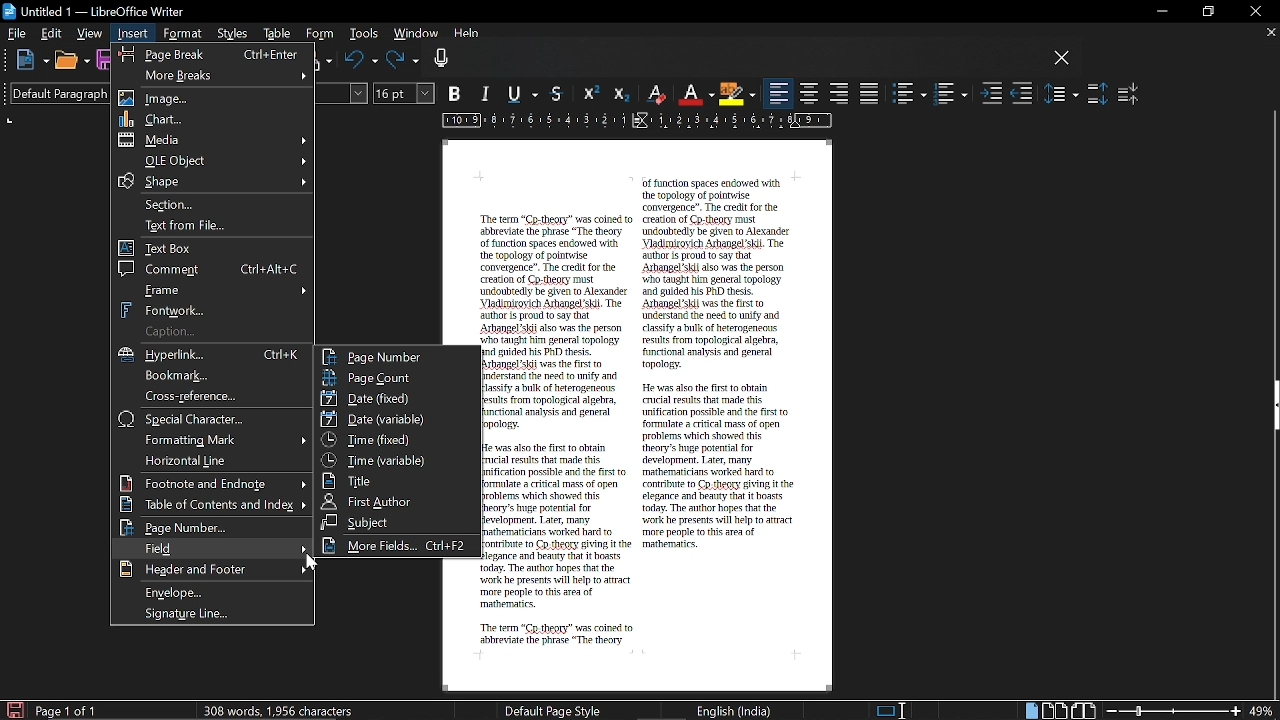 This screenshot has height=720, width=1280. What do you see at coordinates (90, 32) in the screenshot?
I see `View` at bounding box center [90, 32].